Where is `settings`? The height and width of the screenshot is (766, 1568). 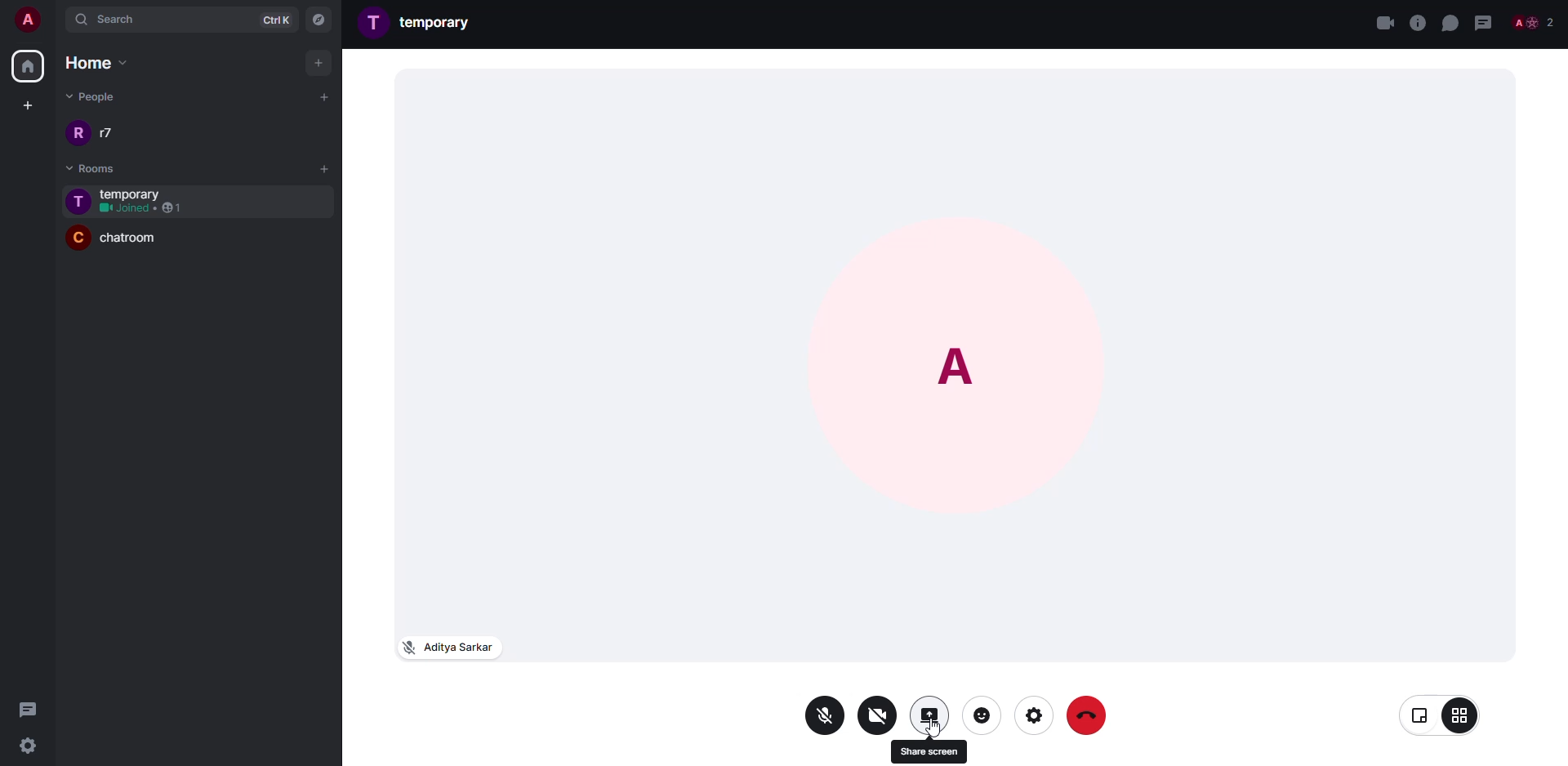 settings is located at coordinates (1032, 715).